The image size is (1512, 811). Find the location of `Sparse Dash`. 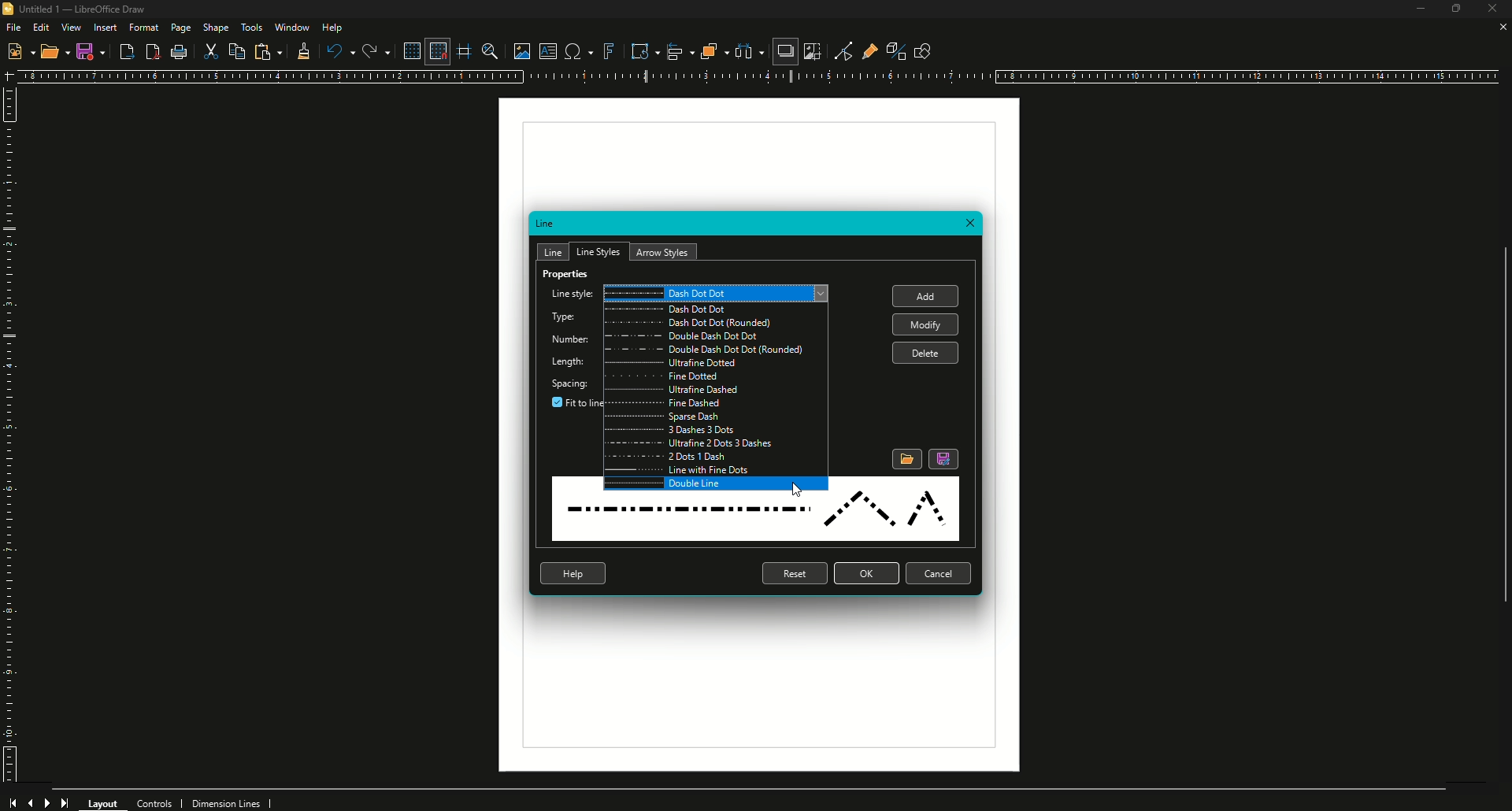

Sparse Dash is located at coordinates (715, 419).